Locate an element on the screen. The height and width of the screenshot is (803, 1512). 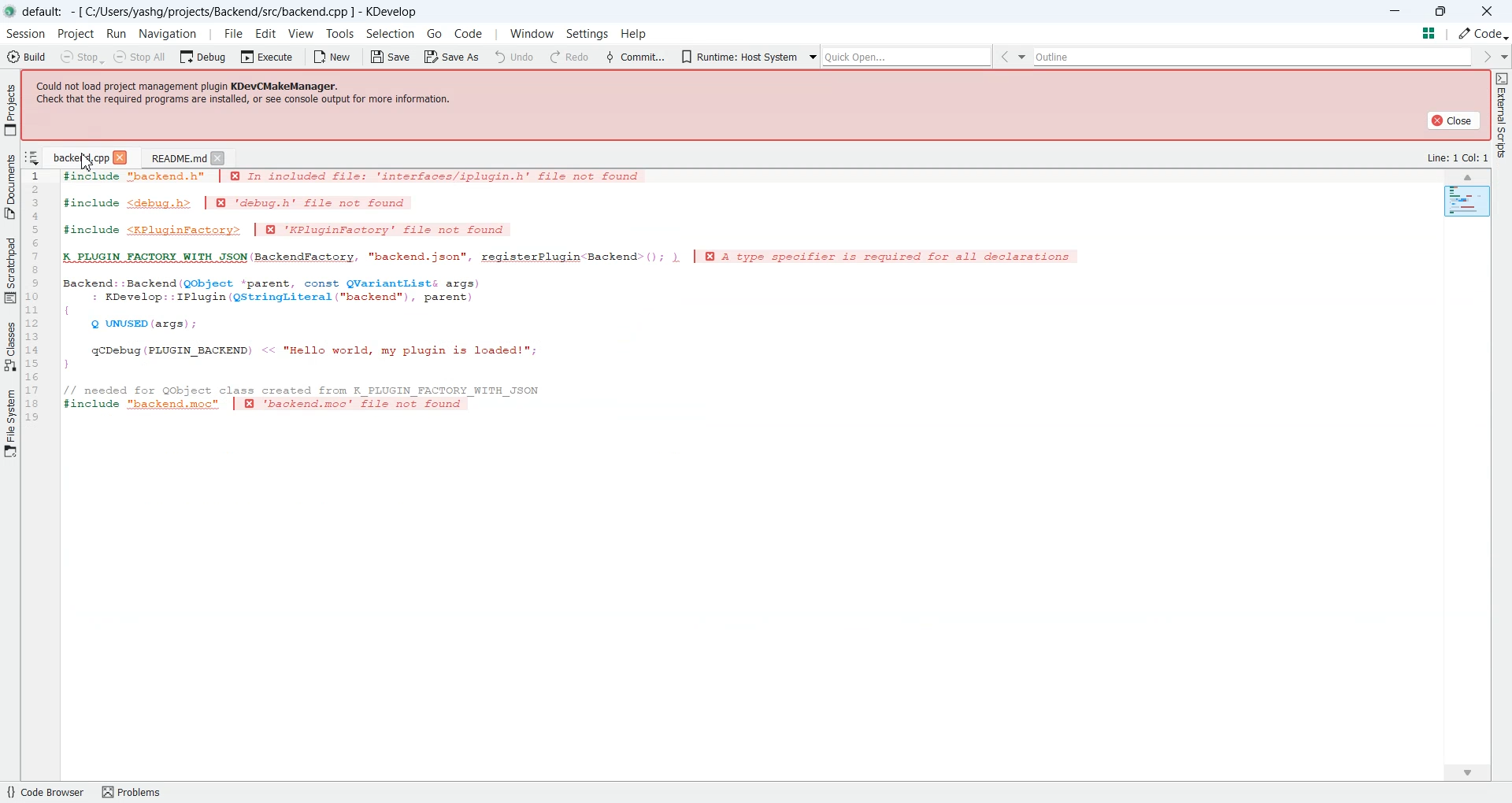
Scratchpad is located at coordinates (10, 269).